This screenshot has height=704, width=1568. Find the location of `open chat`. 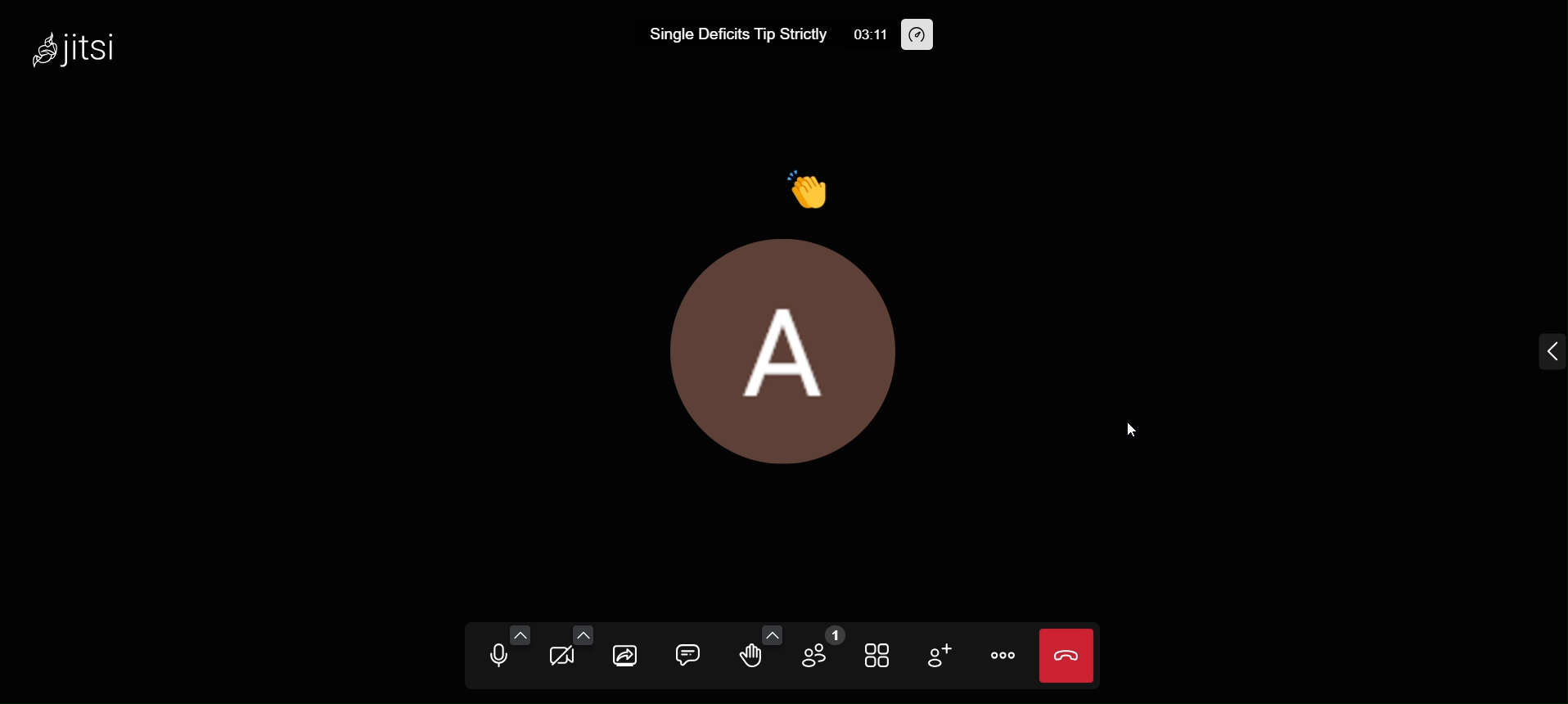

open chat is located at coordinates (689, 651).